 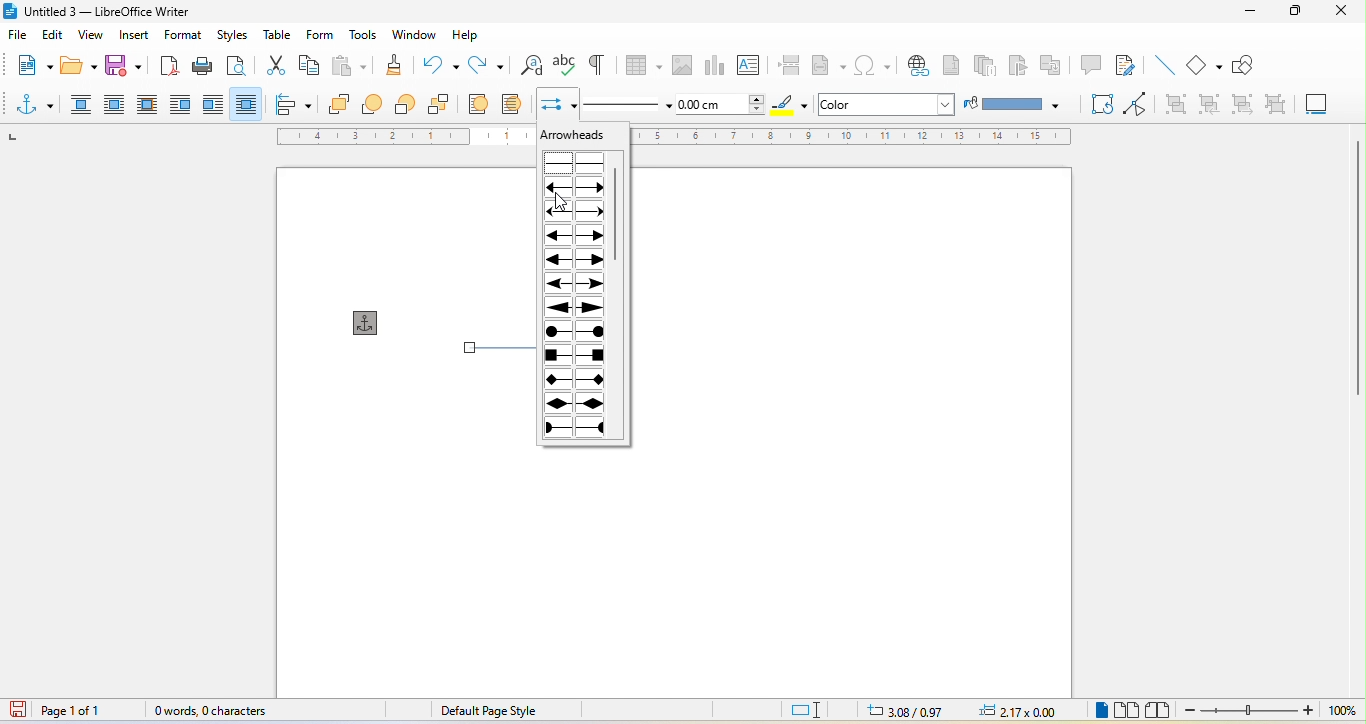 I want to click on anchor for object, so click(x=372, y=322).